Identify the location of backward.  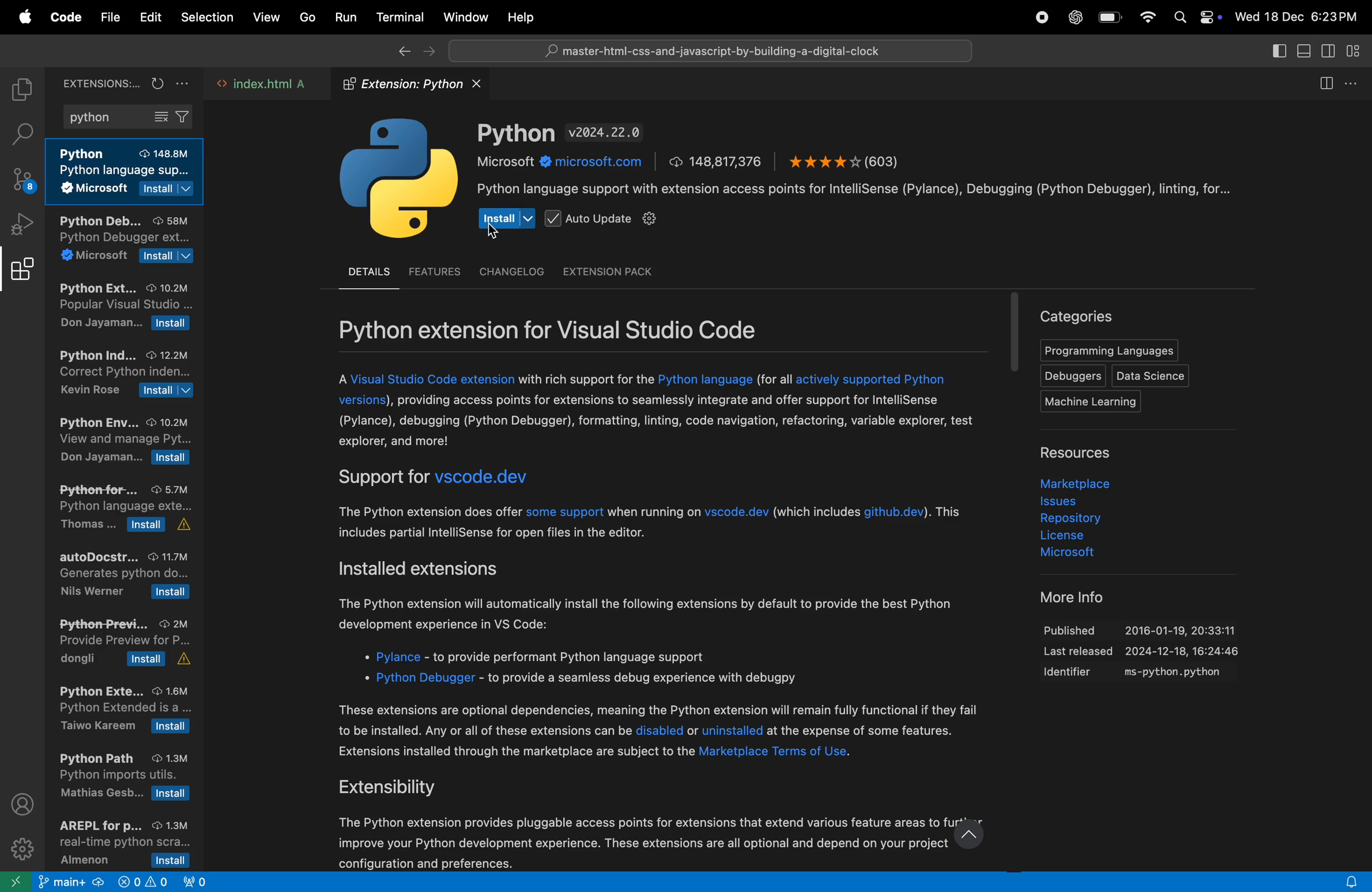
(398, 52).